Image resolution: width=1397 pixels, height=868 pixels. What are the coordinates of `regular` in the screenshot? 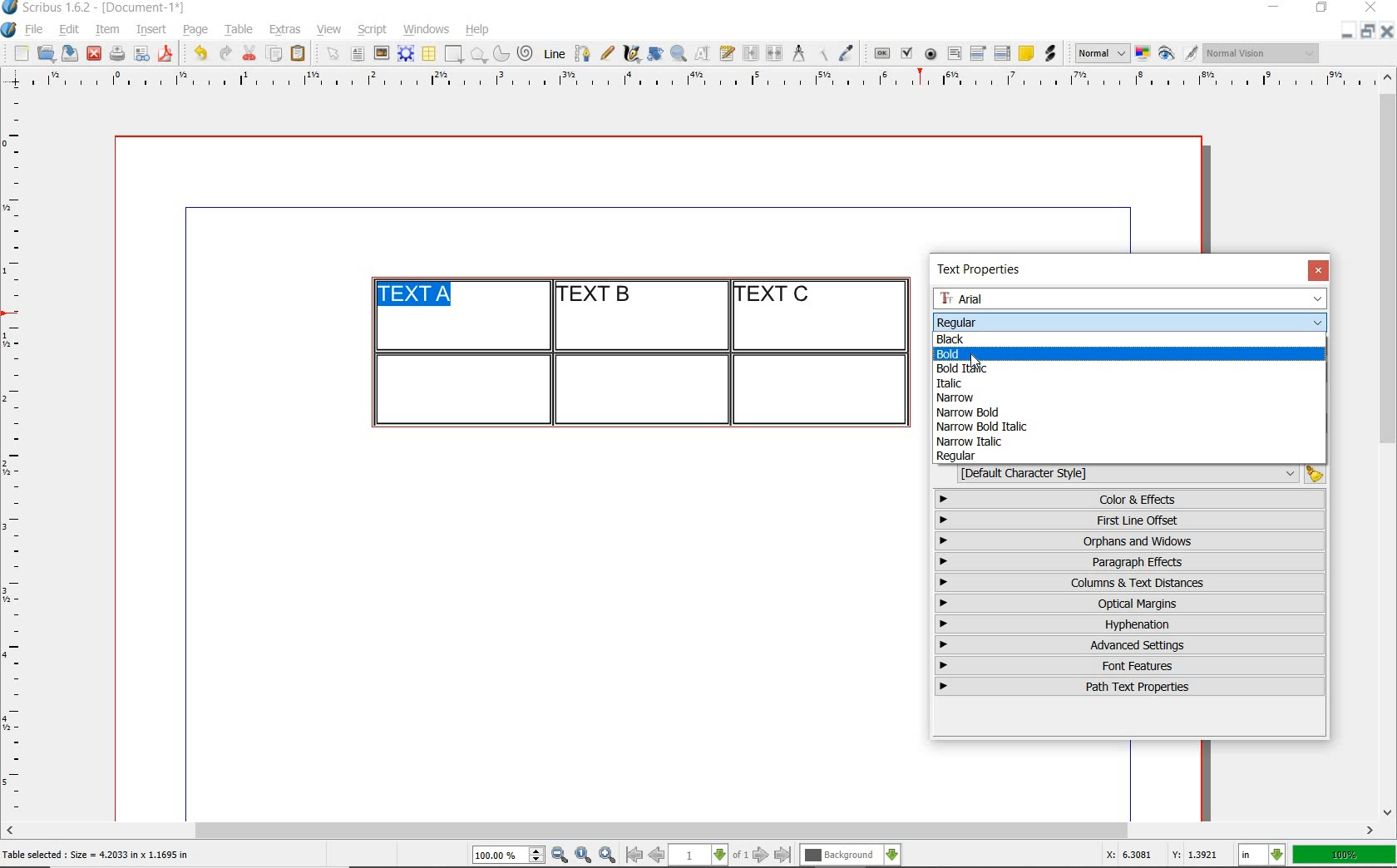 It's located at (955, 321).